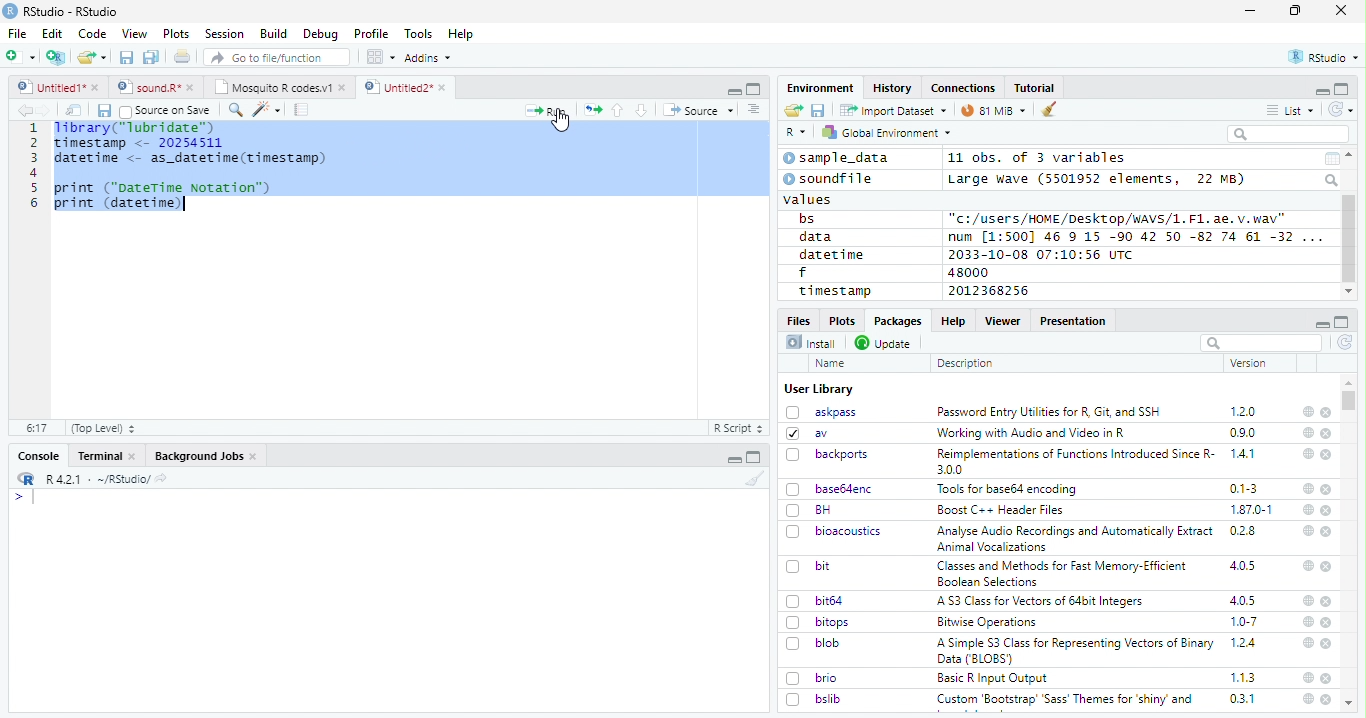 This screenshot has width=1366, height=718. Describe the element at coordinates (1327, 566) in the screenshot. I see `close` at that location.